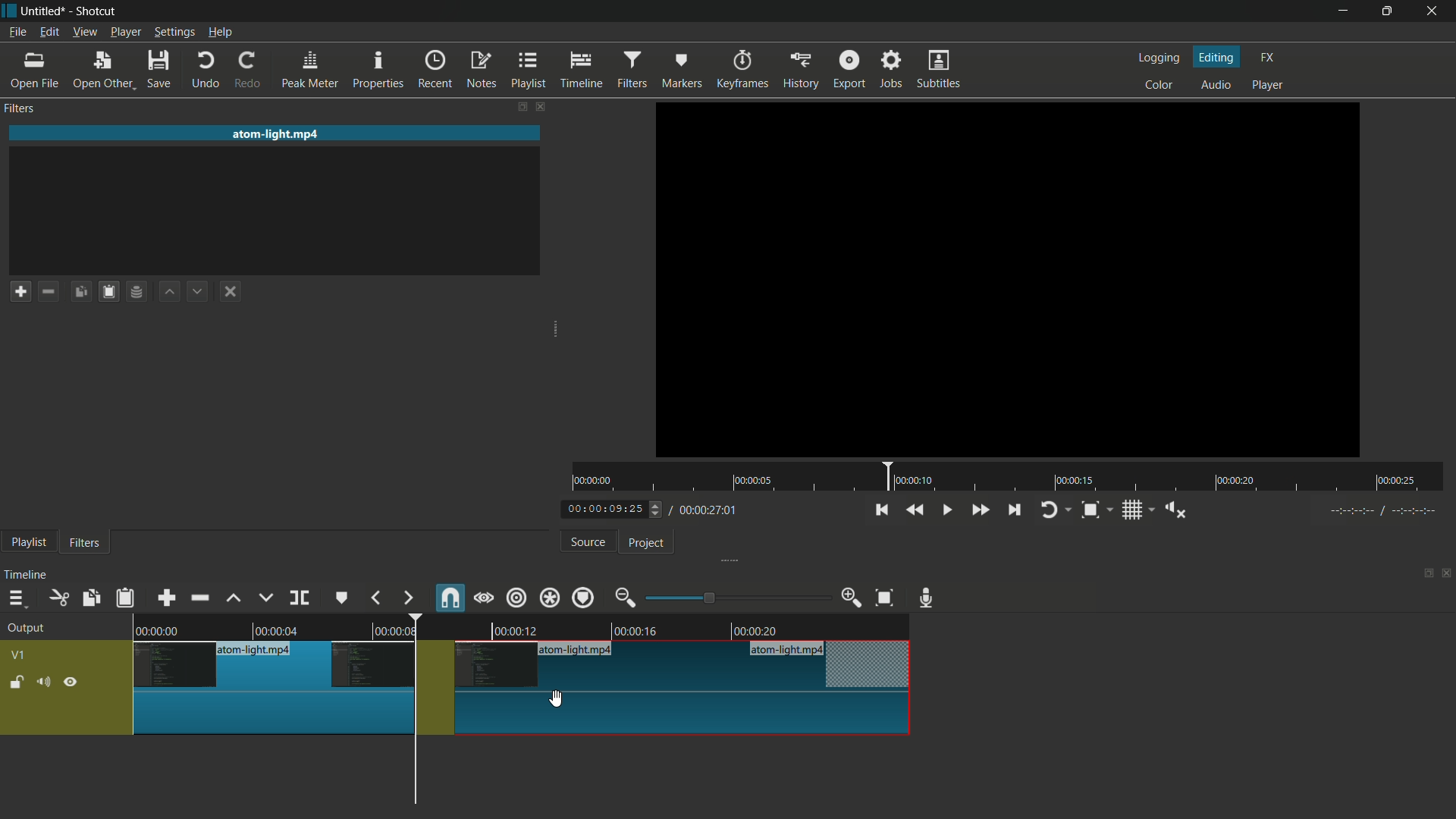 Image resolution: width=1456 pixels, height=819 pixels. I want to click on timeline, so click(584, 71).